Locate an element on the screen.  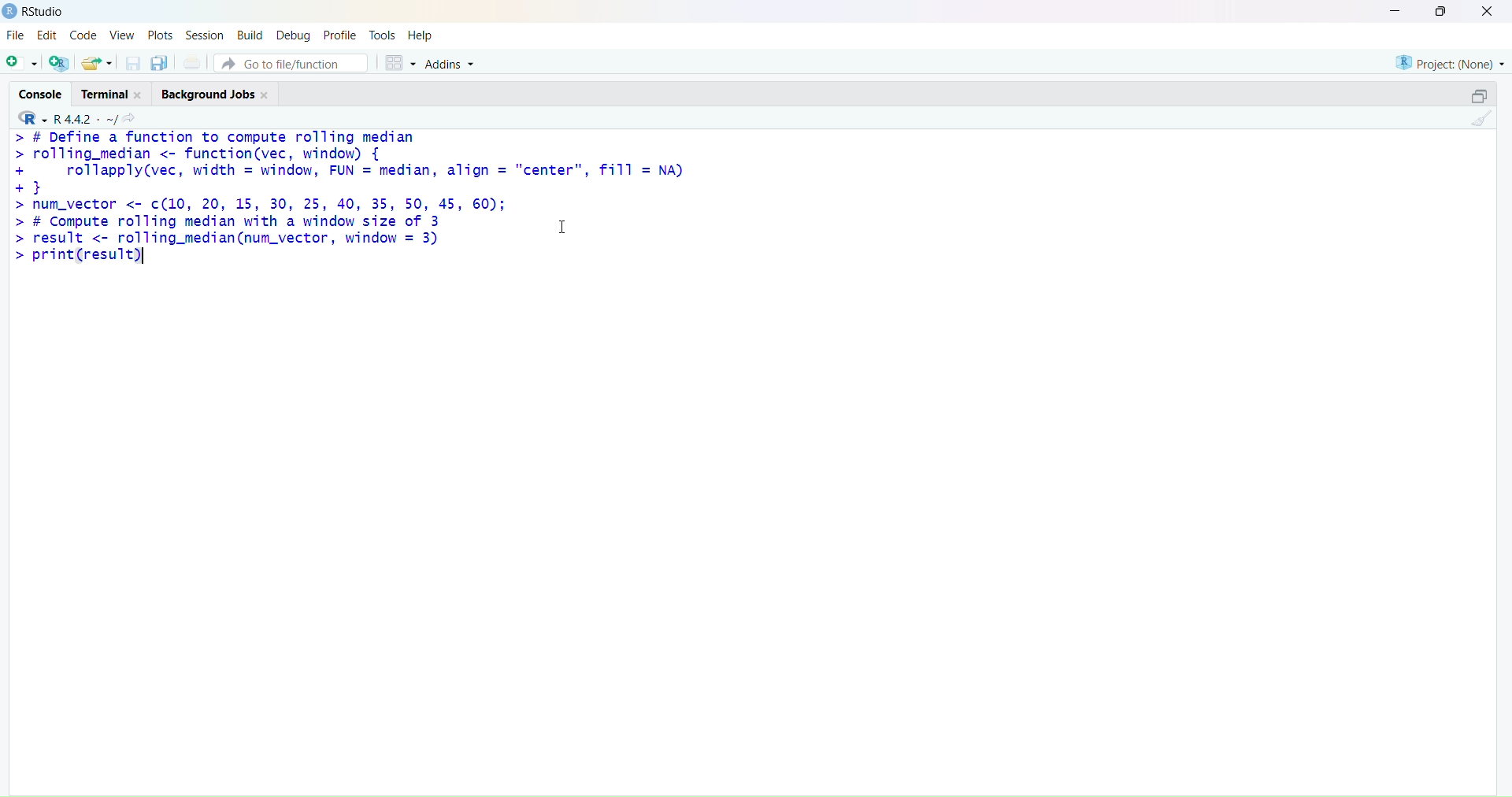
go to file/function is located at coordinates (293, 64).